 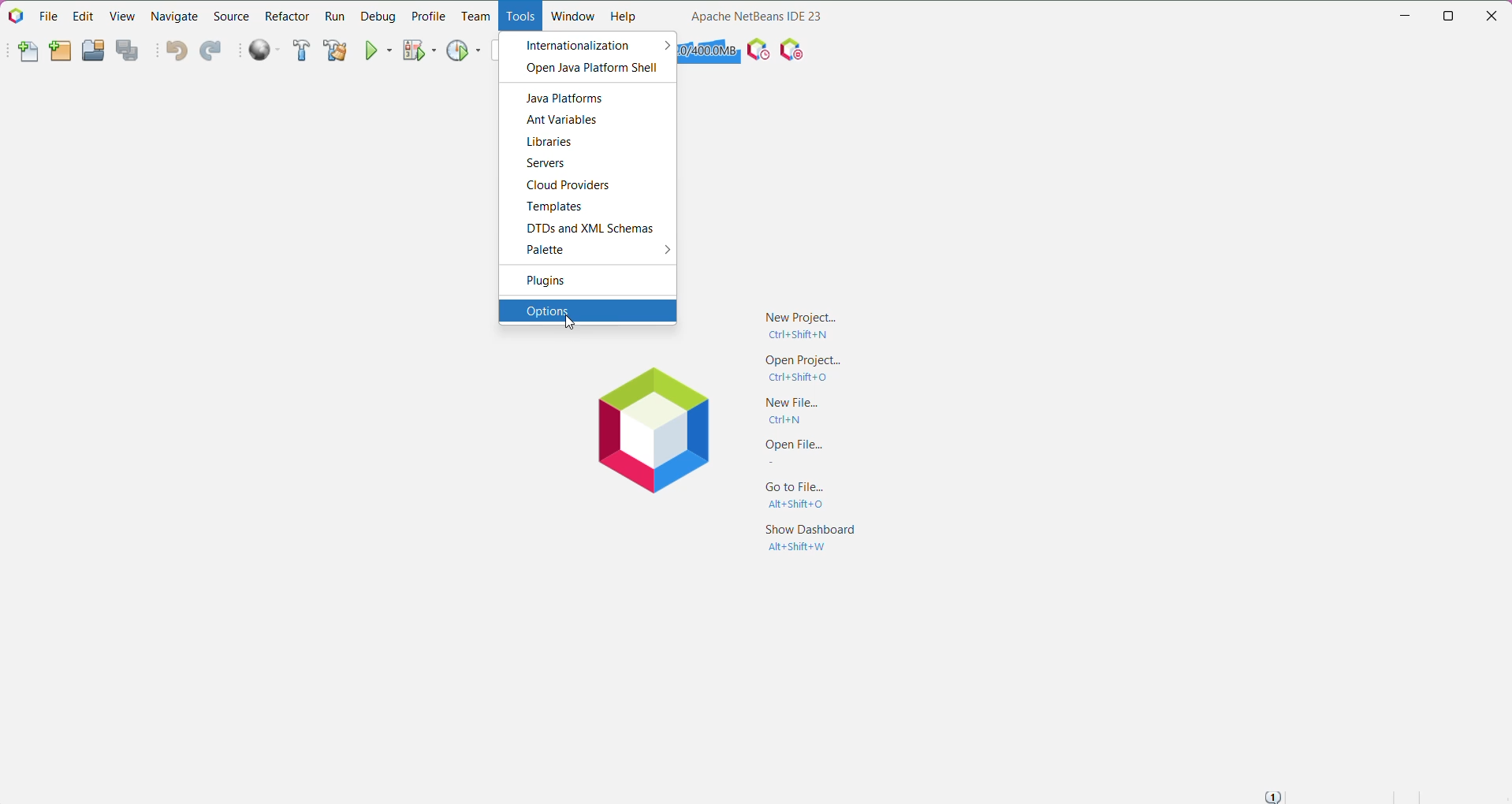 I want to click on Restore Down, so click(x=1451, y=16).